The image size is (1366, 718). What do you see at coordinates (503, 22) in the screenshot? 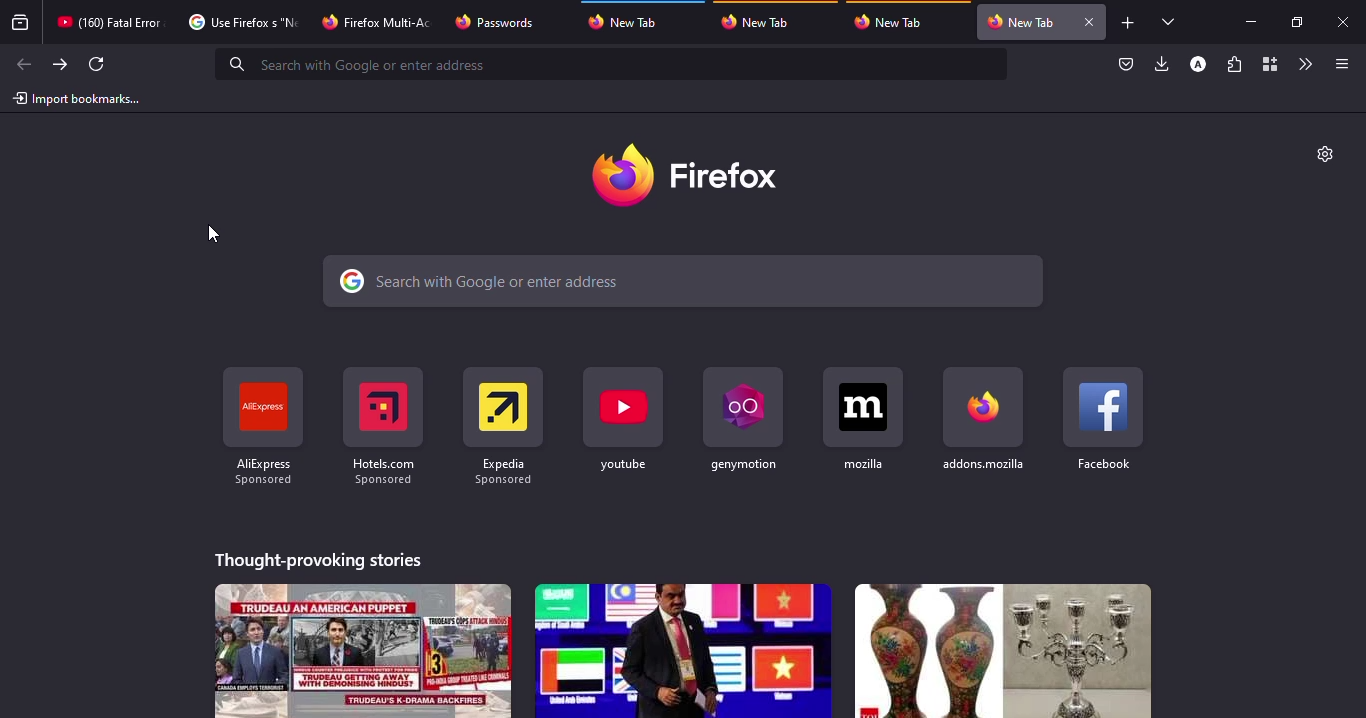
I see `tab` at bounding box center [503, 22].